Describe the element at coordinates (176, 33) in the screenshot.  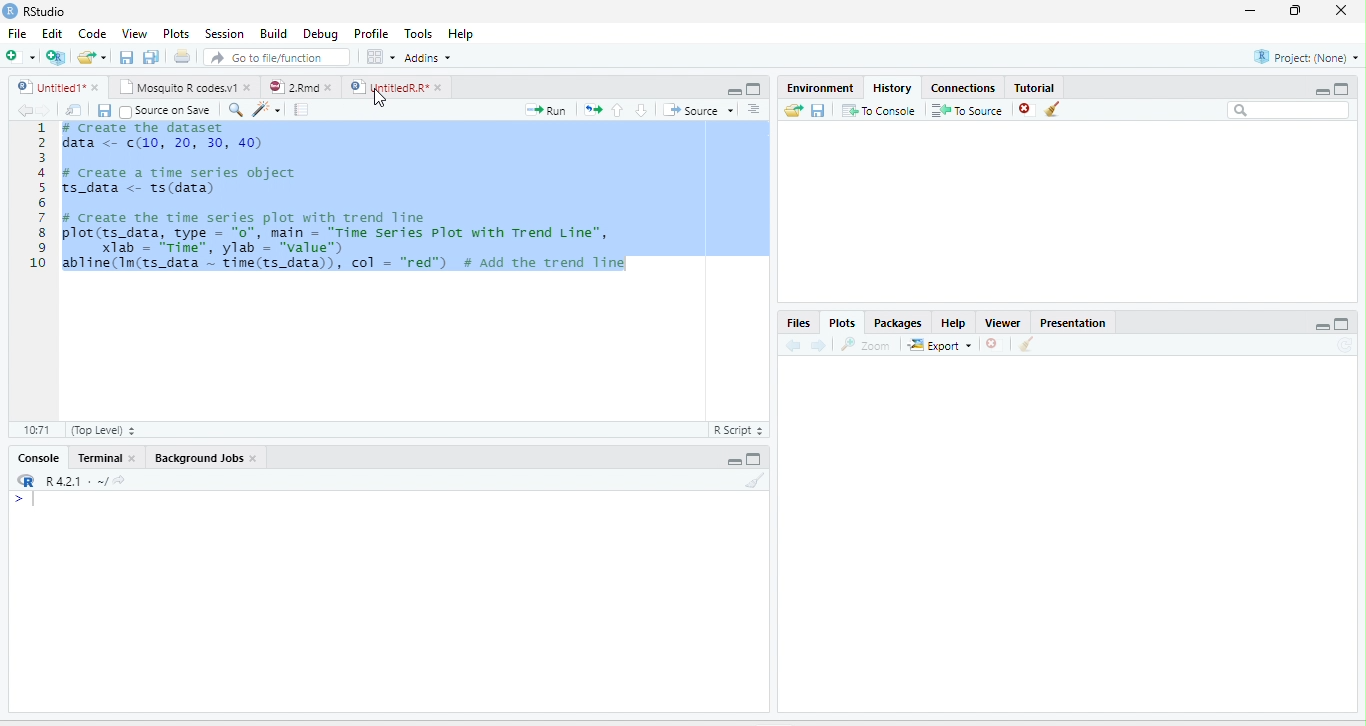
I see `Plots` at that location.